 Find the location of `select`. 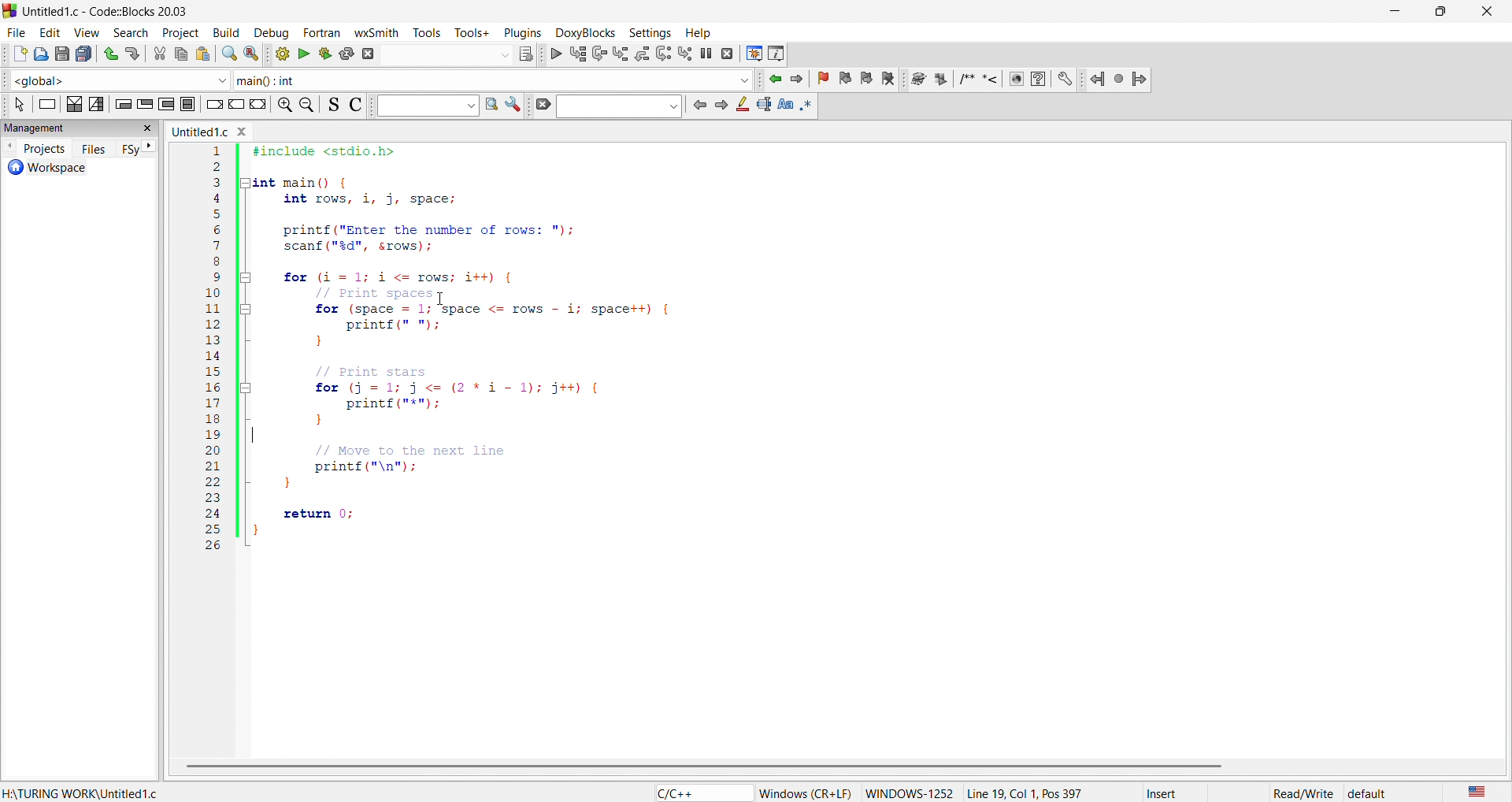

select is located at coordinates (16, 105).